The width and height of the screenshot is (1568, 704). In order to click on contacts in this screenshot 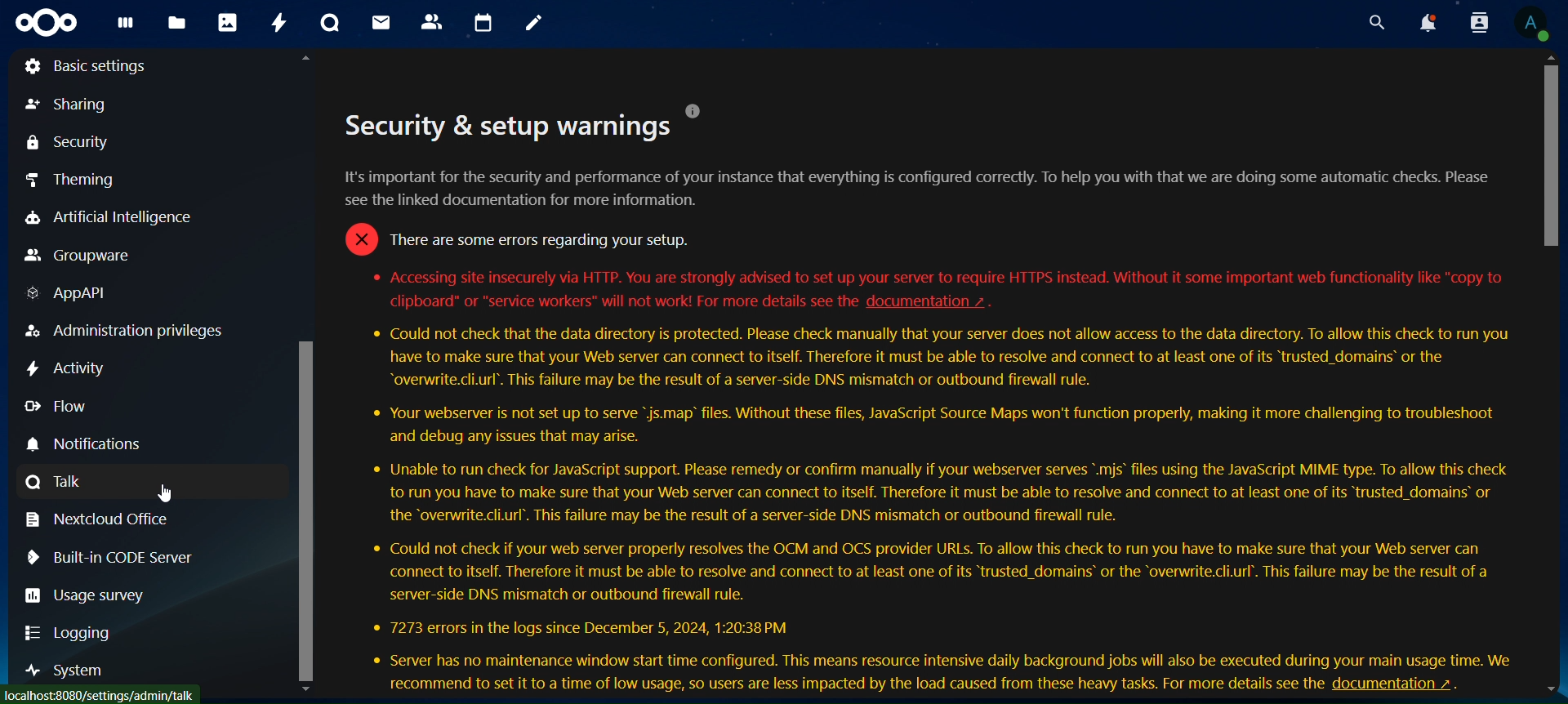, I will do `click(433, 21)`.